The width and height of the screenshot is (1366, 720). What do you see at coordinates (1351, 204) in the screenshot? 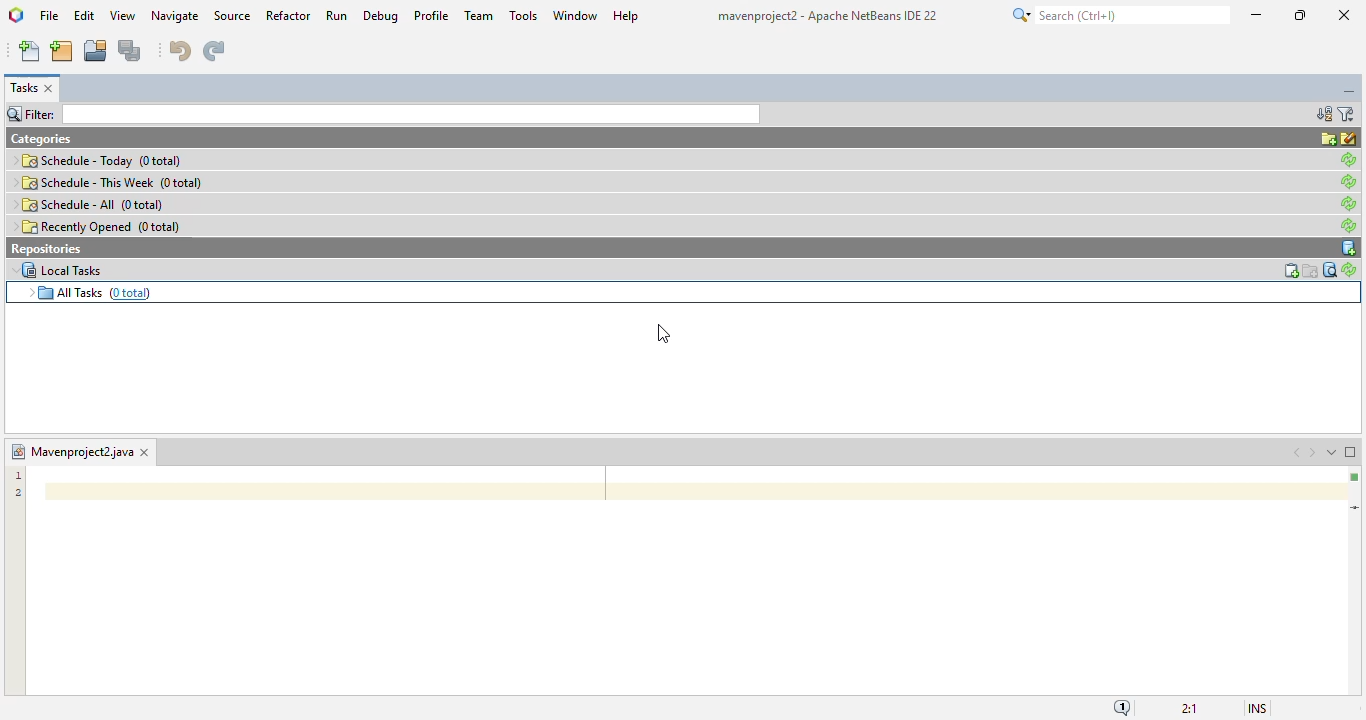
I see `refresh` at bounding box center [1351, 204].